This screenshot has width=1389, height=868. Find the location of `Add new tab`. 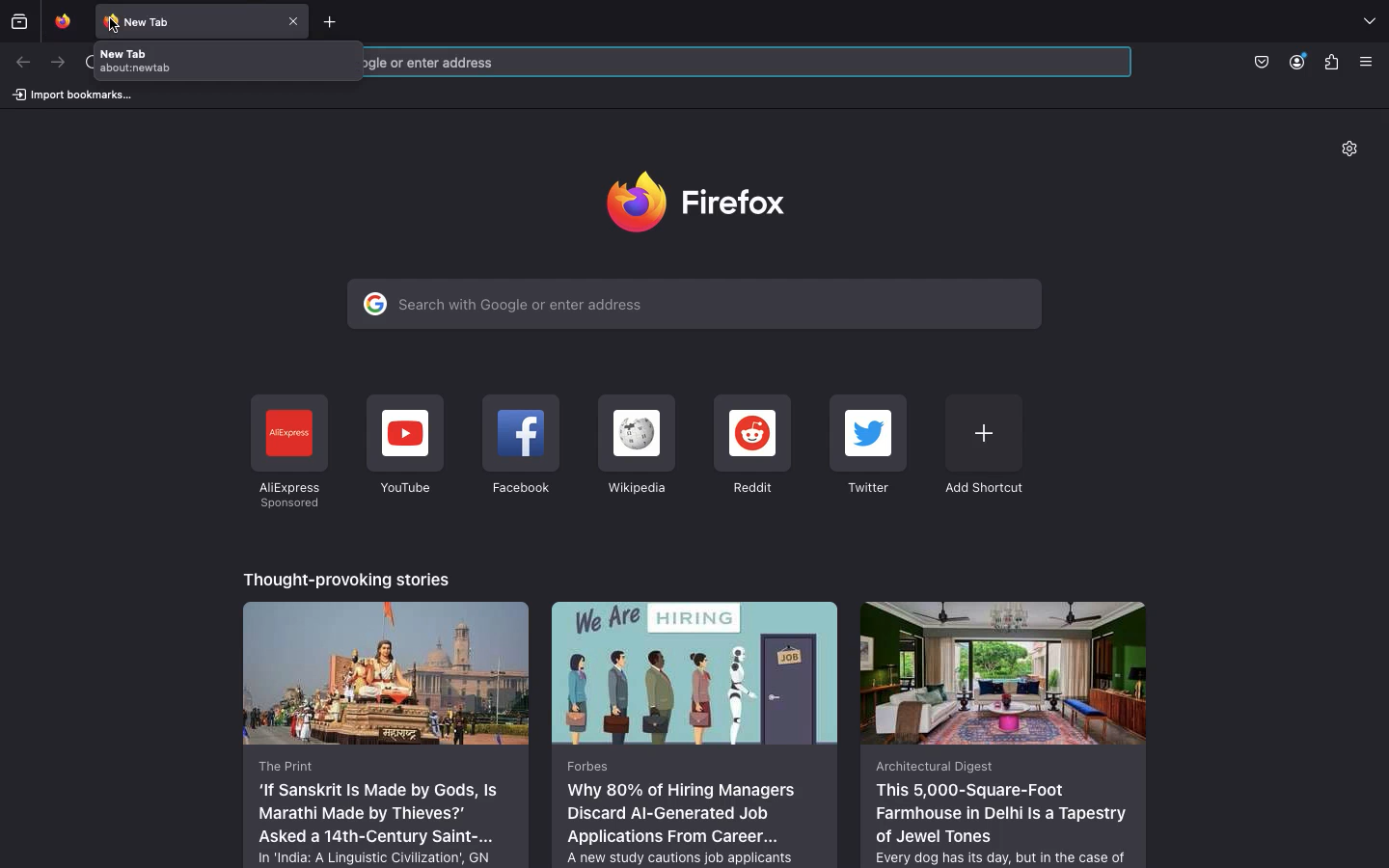

Add new tab is located at coordinates (334, 20).